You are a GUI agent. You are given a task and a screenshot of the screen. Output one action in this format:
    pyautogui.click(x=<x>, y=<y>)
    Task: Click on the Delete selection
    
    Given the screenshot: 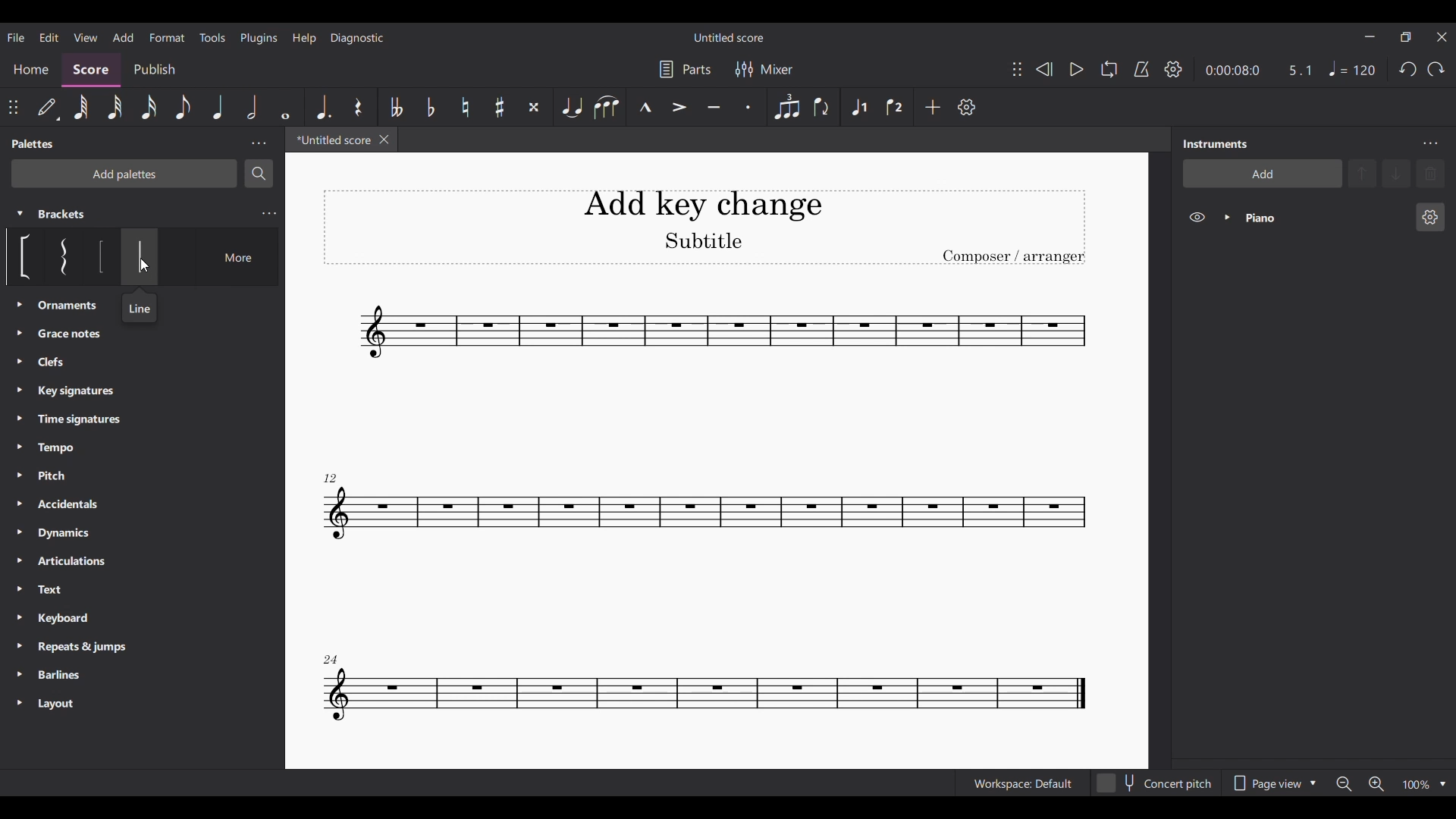 What is the action you would take?
    pyautogui.click(x=1431, y=174)
    